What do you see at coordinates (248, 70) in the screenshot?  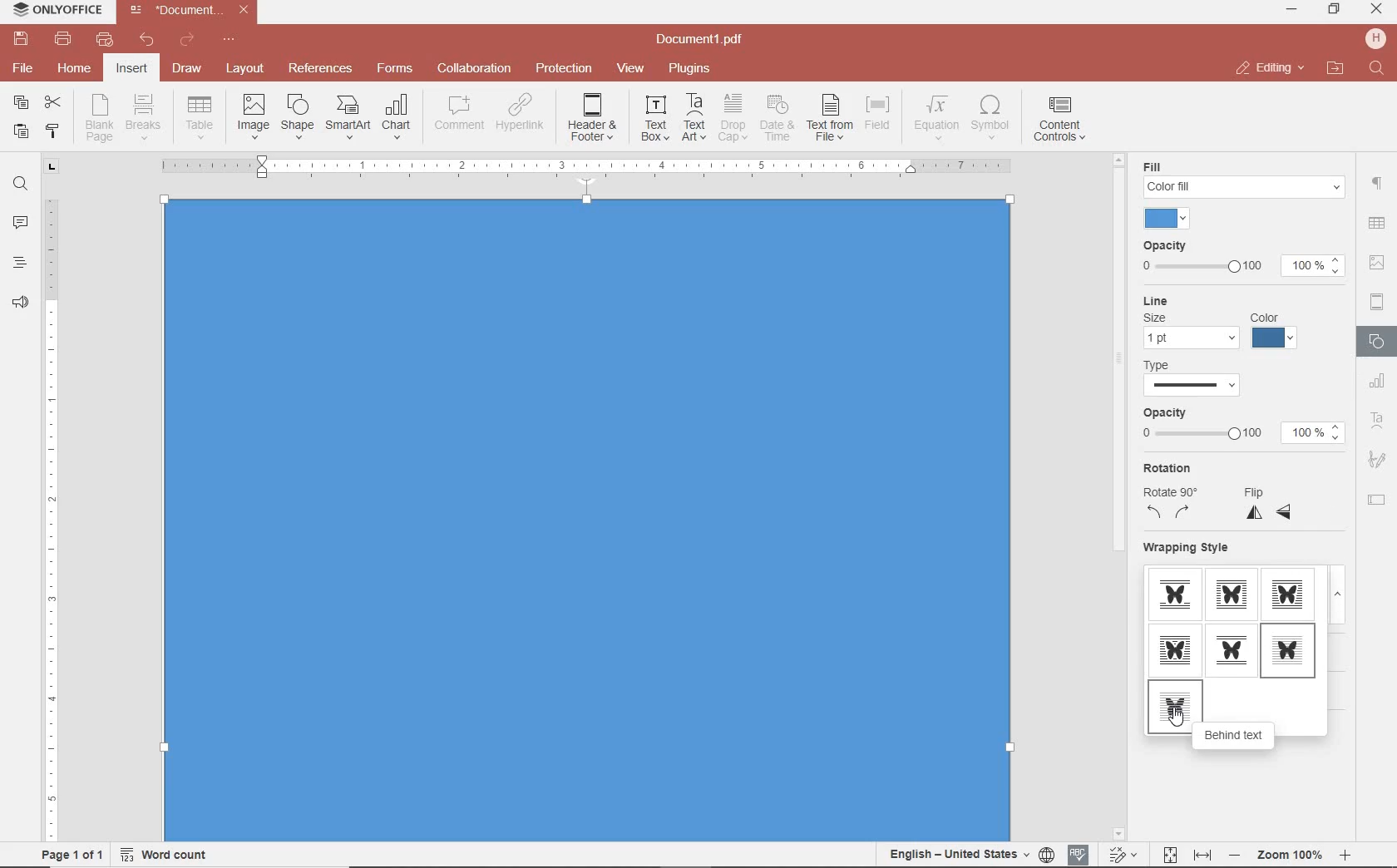 I see `layout` at bounding box center [248, 70].